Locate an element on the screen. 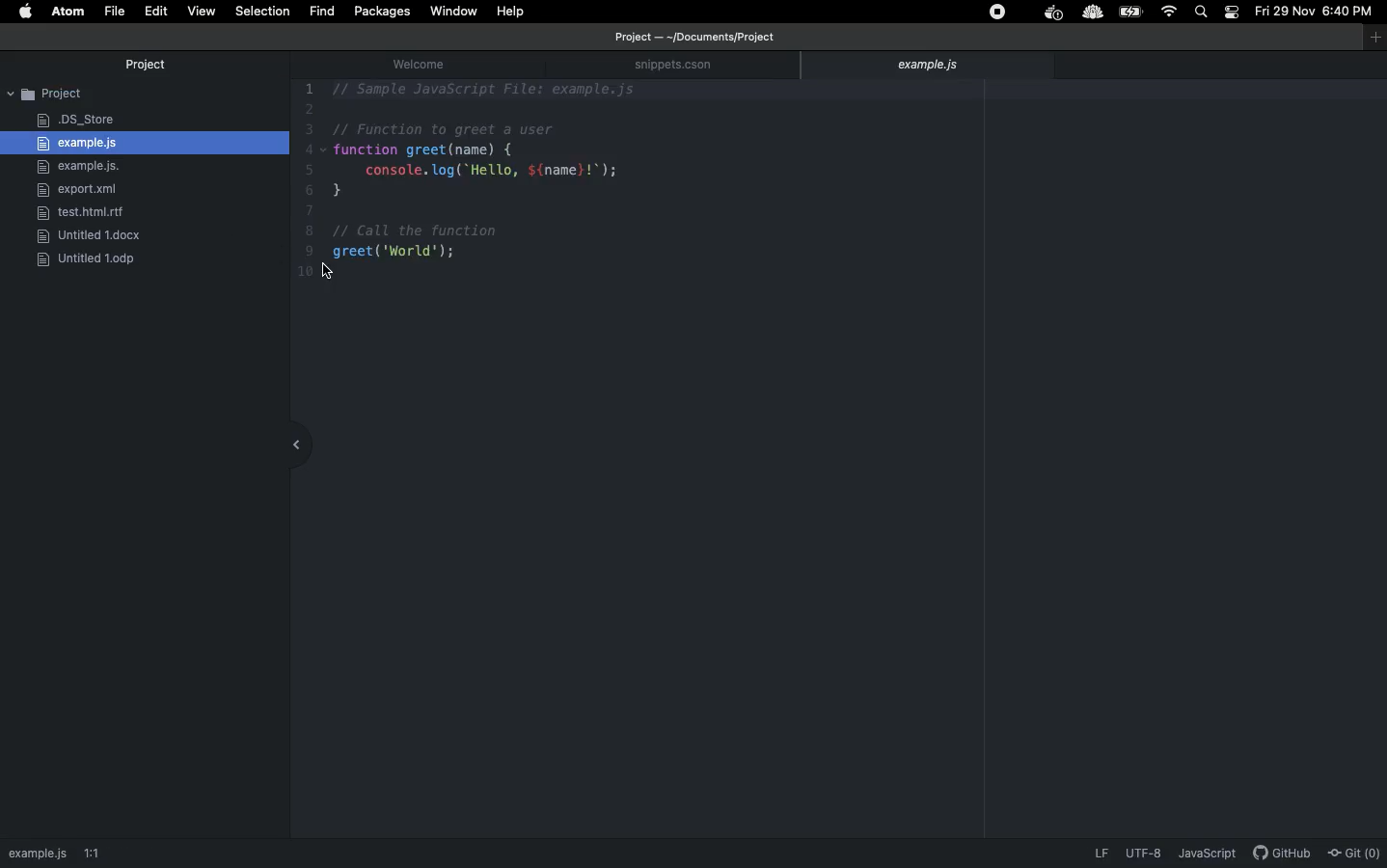 Image resolution: width=1387 pixels, height=868 pixels. ATOM is located at coordinates (68, 12).